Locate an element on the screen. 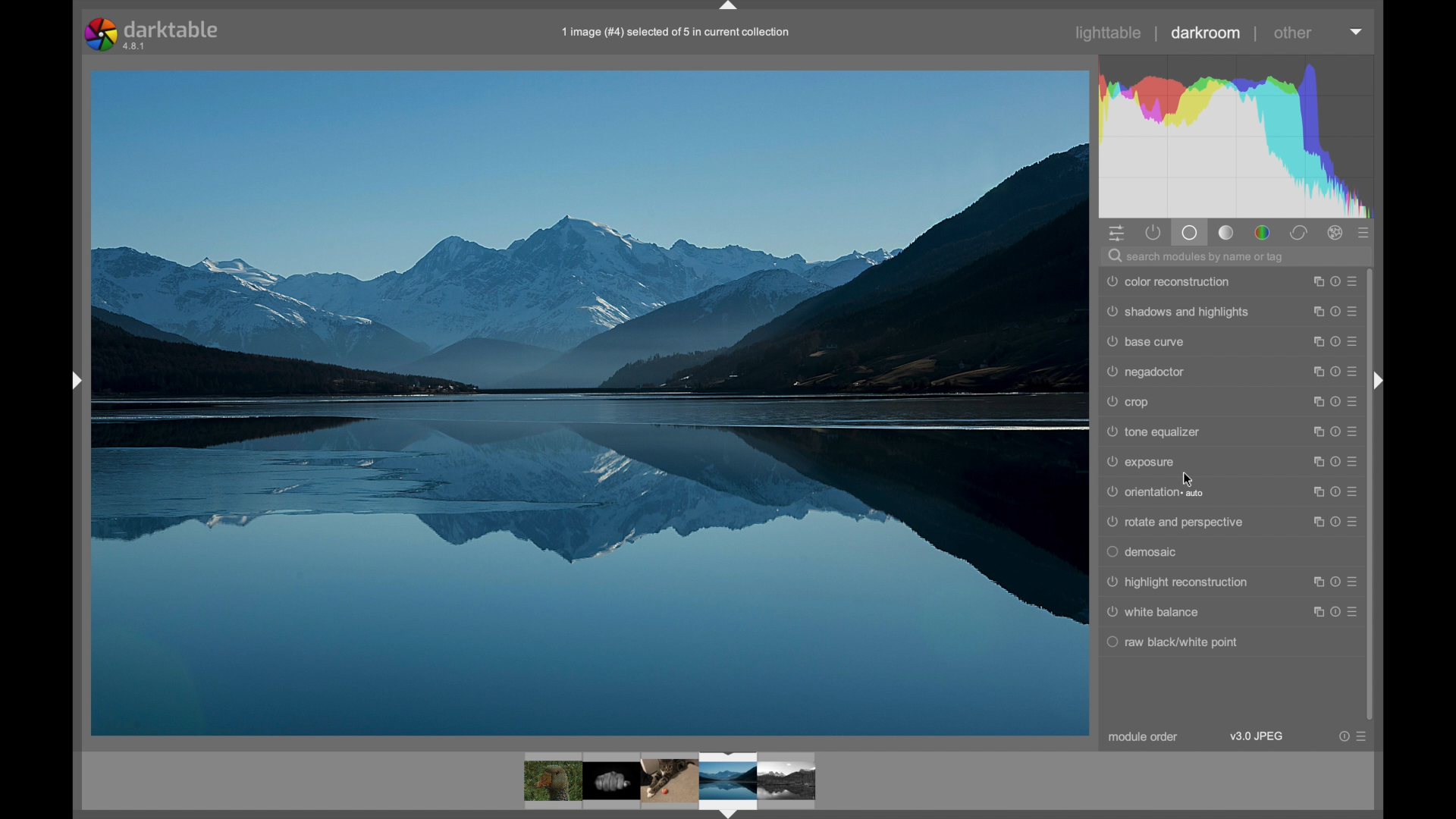 The width and height of the screenshot is (1456, 819). shadows and highlights is located at coordinates (1177, 312).